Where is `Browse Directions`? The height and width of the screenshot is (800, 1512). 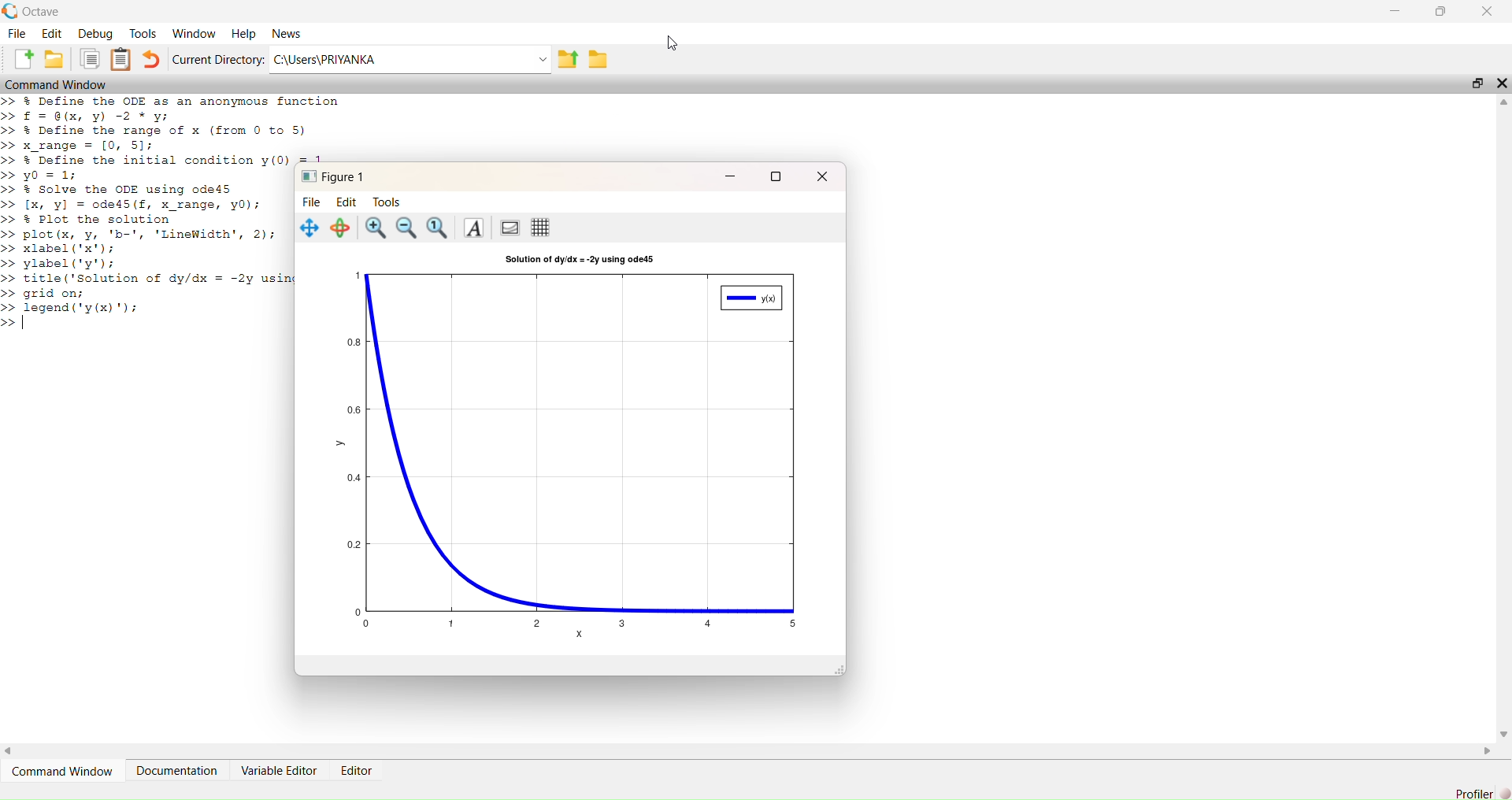
Browse Directions is located at coordinates (598, 59).